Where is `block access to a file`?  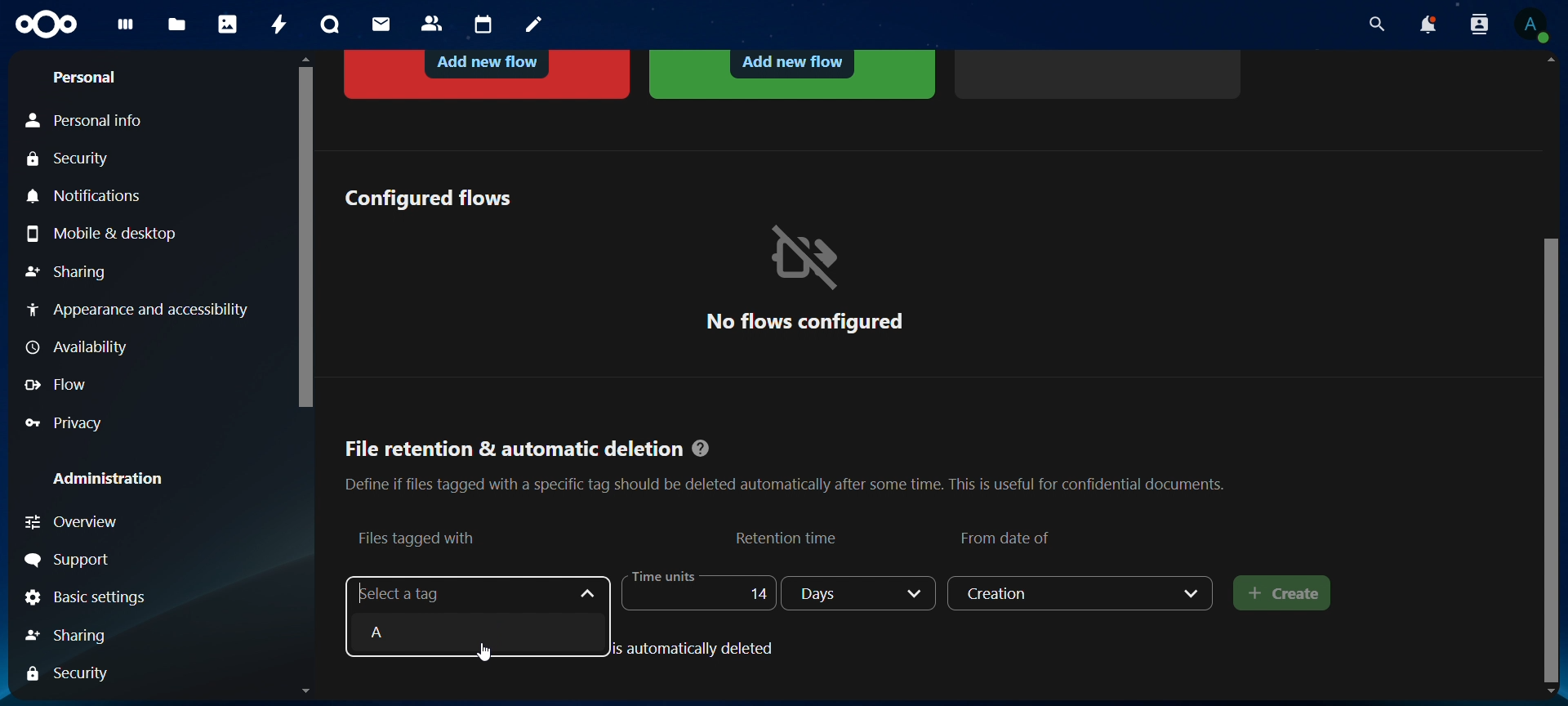 block access to a file is located at coordinates (489, 72).